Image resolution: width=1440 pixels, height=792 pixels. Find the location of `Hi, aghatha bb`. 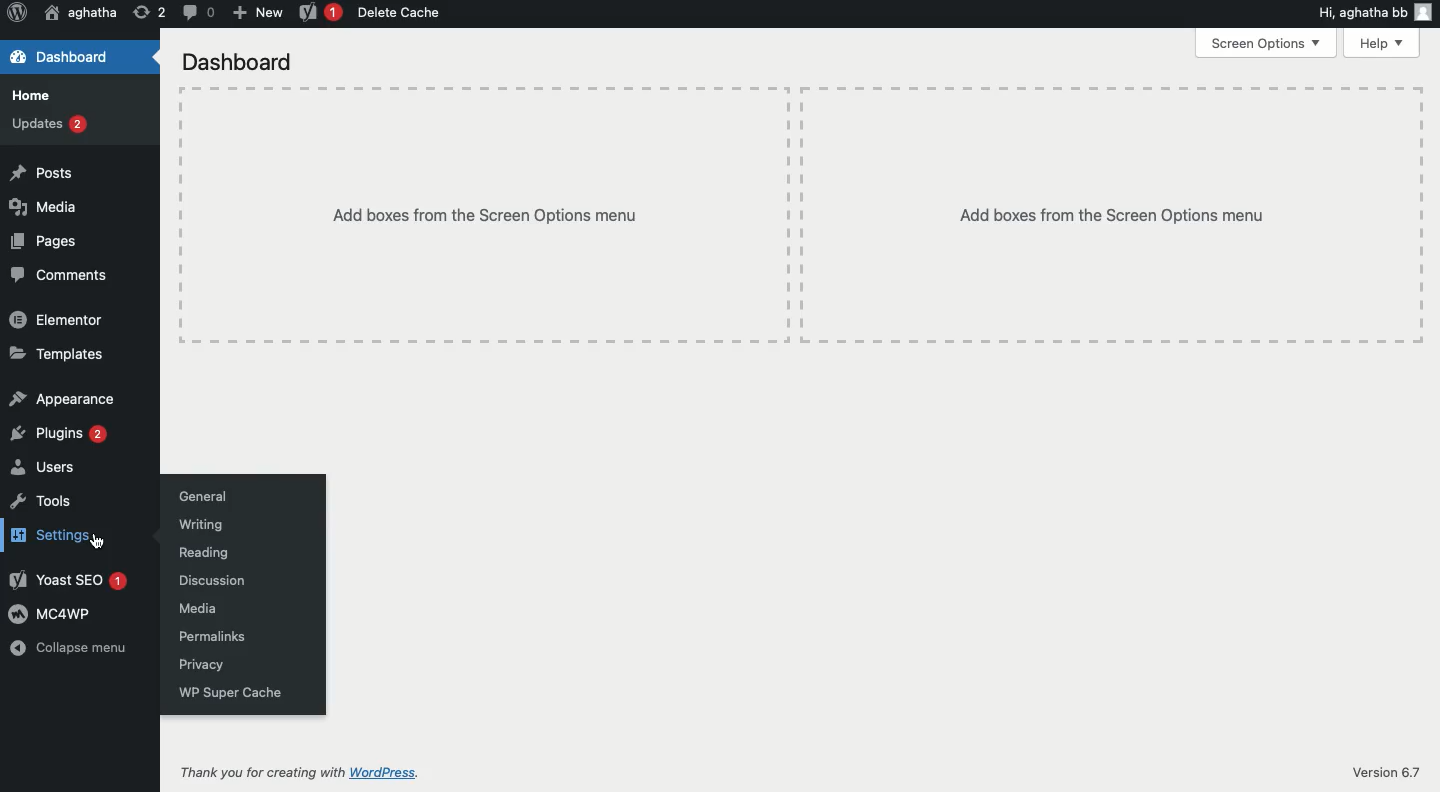

Hi, aghatha bb is located at coordinates (1369, 13).